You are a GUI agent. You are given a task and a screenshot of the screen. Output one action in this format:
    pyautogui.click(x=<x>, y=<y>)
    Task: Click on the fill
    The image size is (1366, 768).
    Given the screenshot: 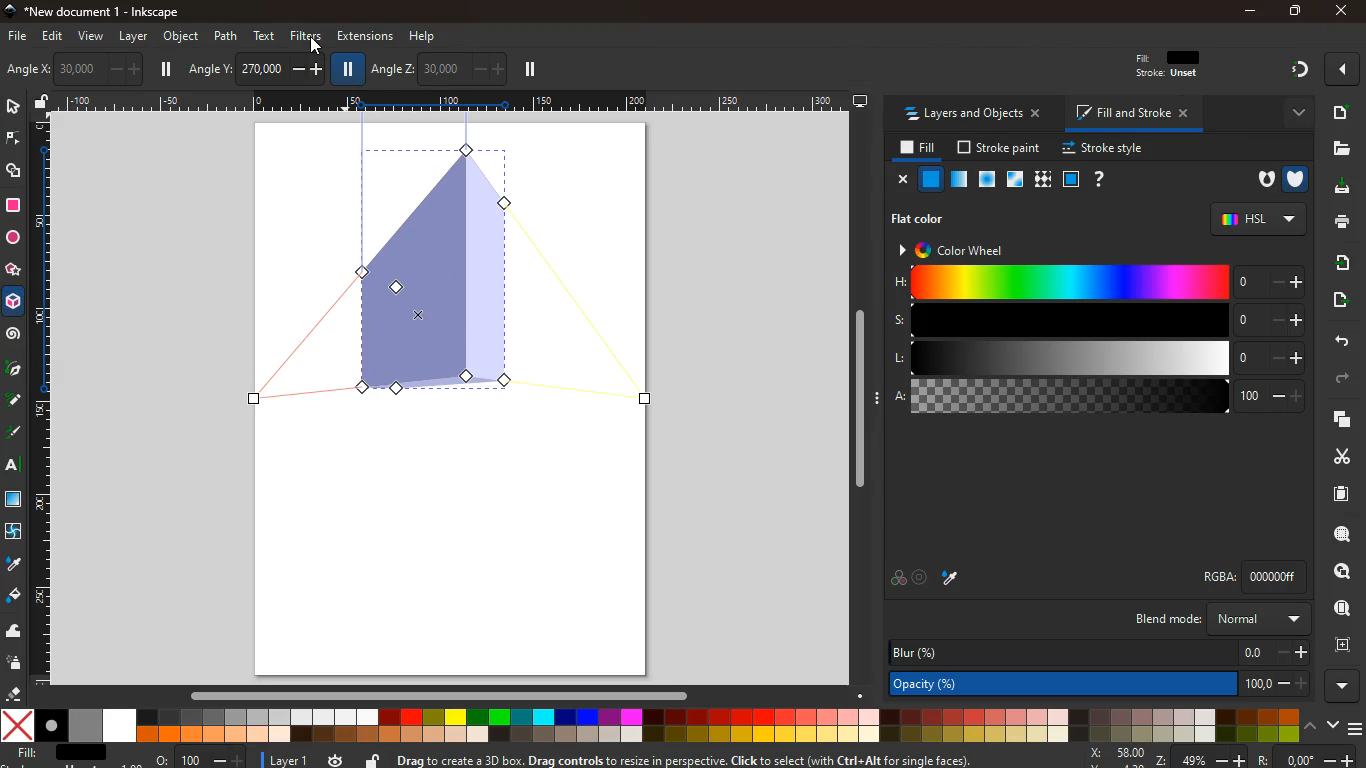 What is the action you would take?
    pyautogui.click(x=60, y=753)
    